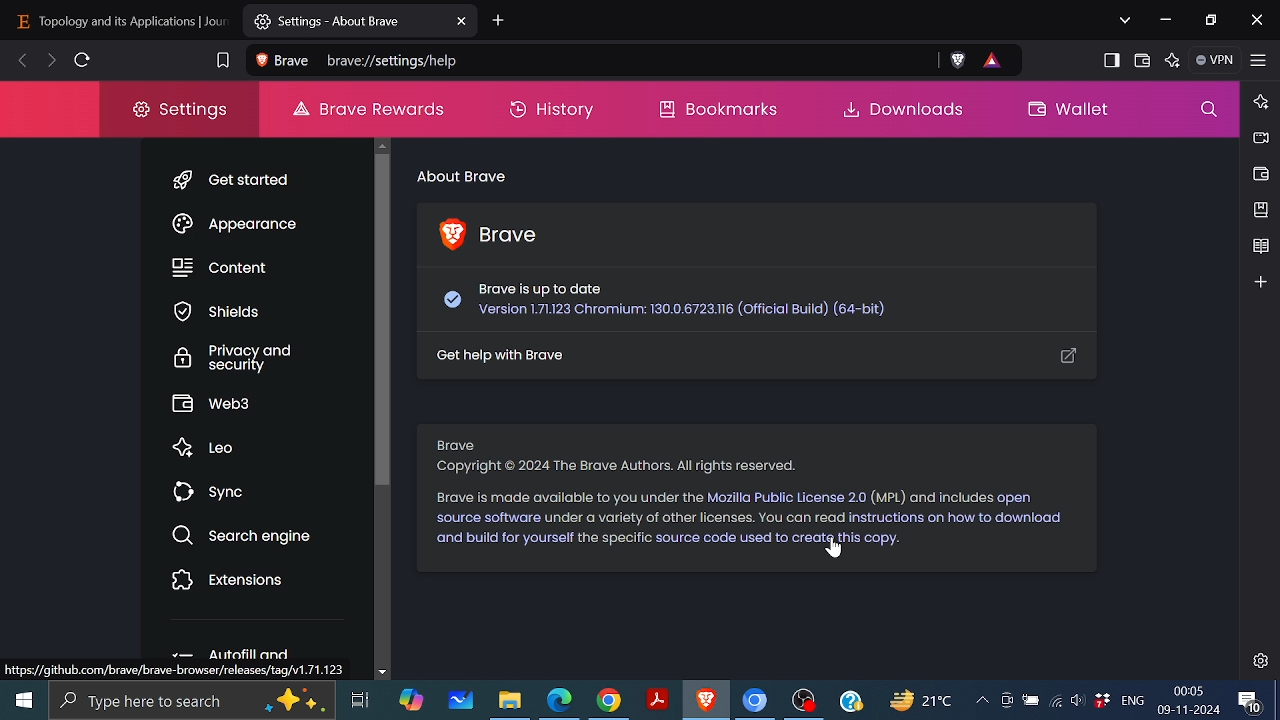  What do you see at coordinates (384, 146) in the screenshot?
I see `Move up` at bounding box center [384, 146].